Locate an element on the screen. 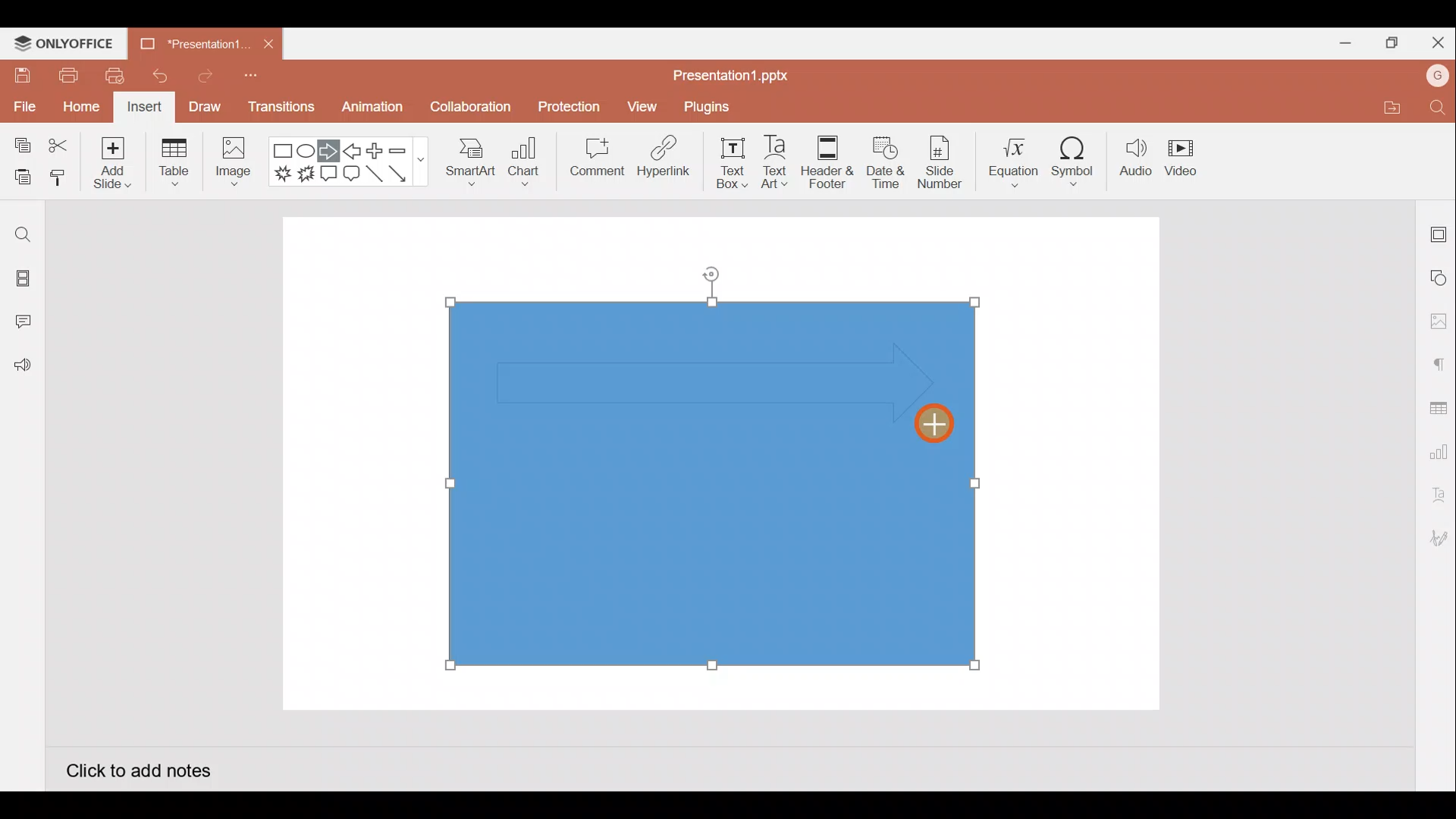 The width and height of the screenshot is (1456, 819). Minus is located at coordinates (406, 149).